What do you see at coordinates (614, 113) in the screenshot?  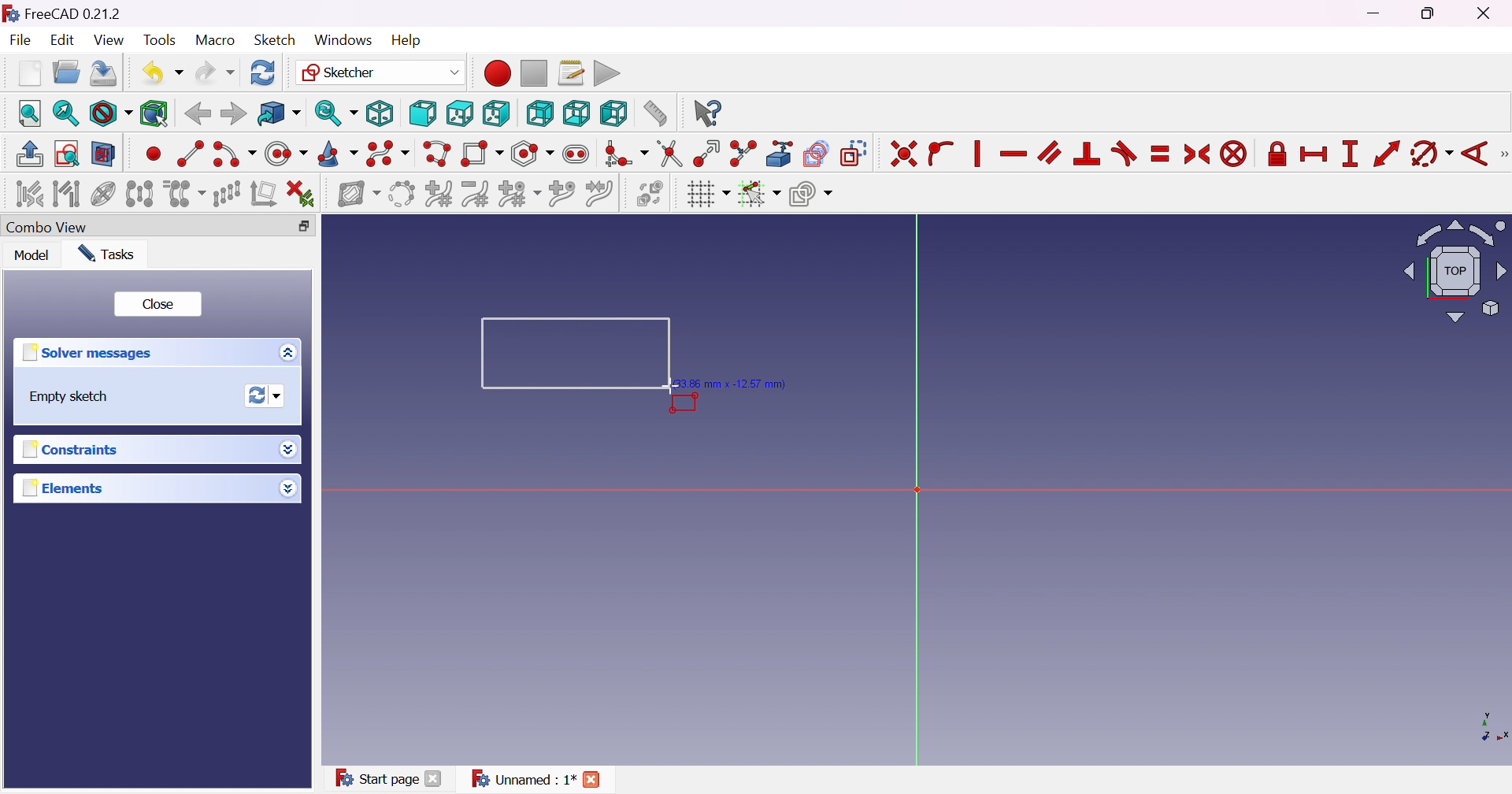 I see `Left` at bounding box center [614, 113].